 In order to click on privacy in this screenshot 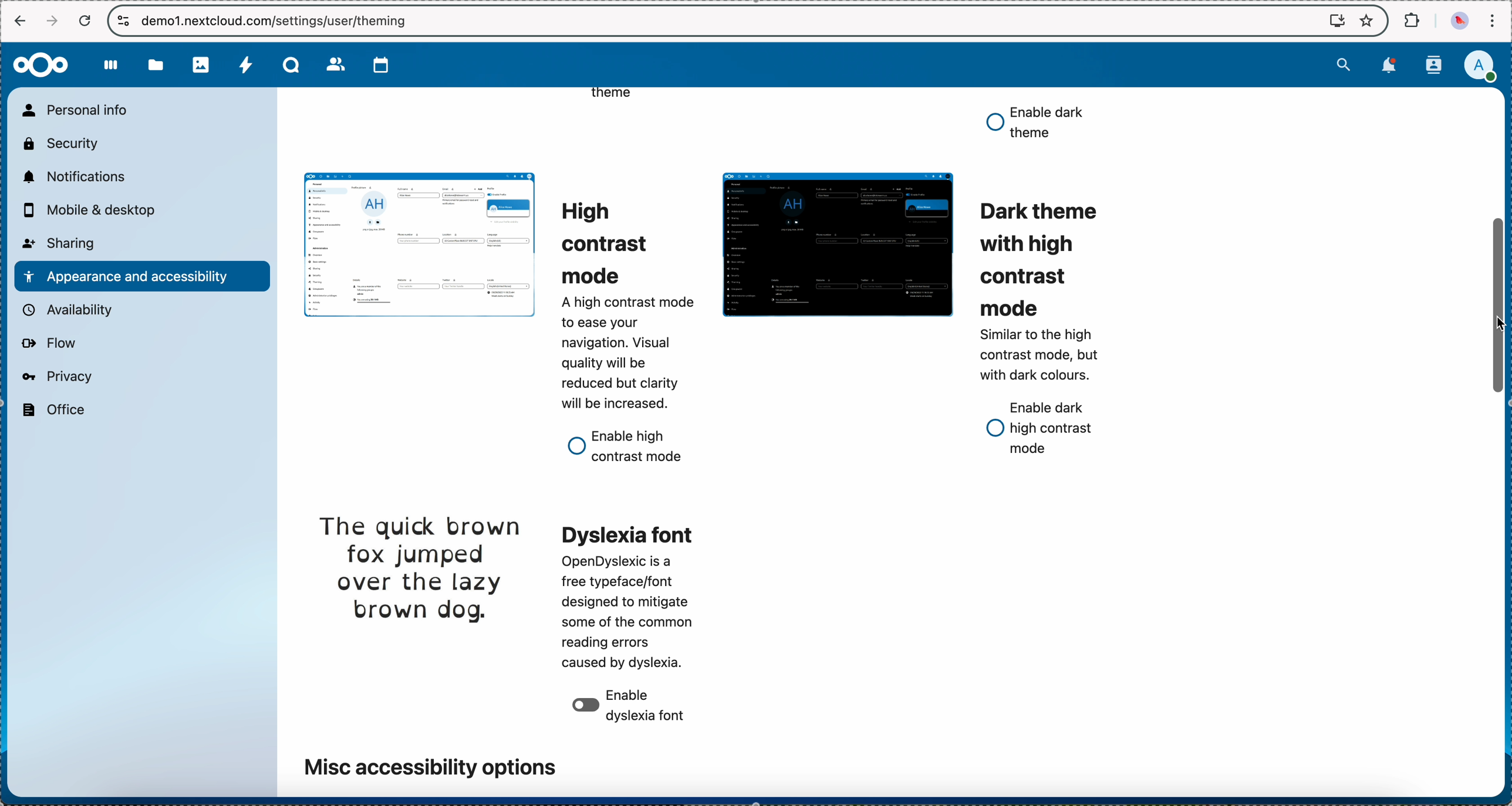, I will do `click(59, 377)`.